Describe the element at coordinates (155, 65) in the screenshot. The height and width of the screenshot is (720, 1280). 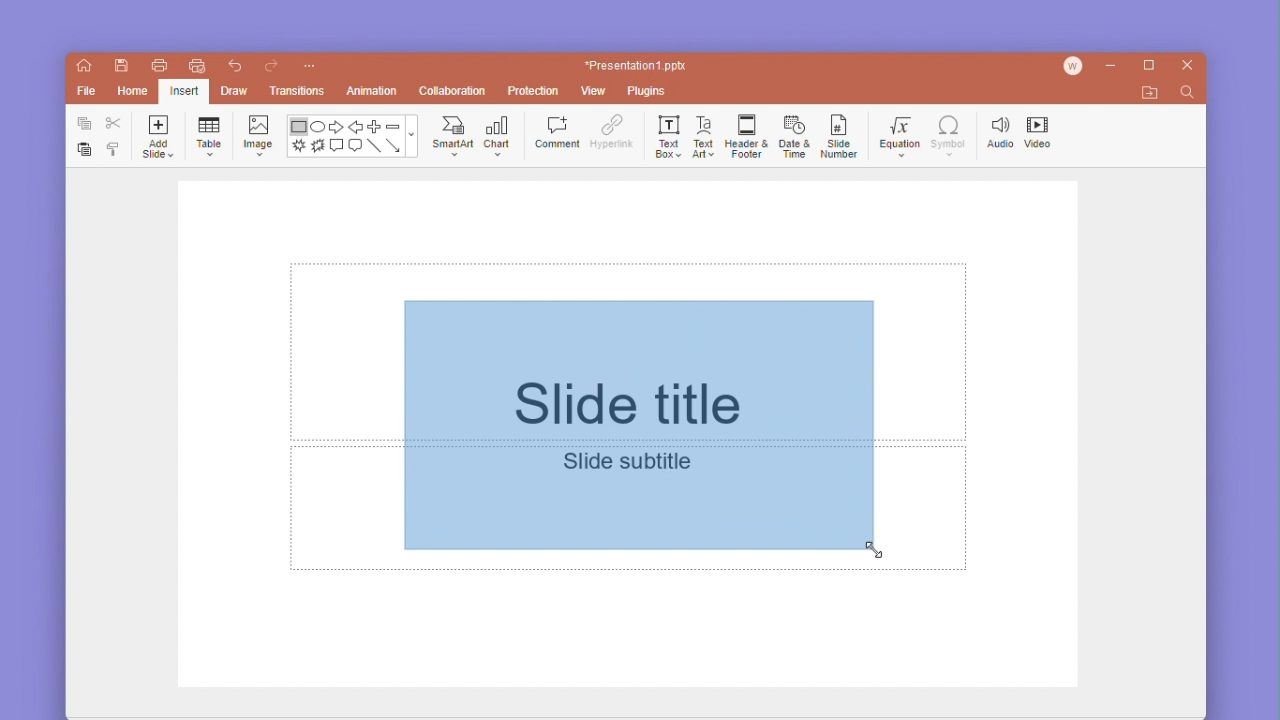
I see `print file` at that location.